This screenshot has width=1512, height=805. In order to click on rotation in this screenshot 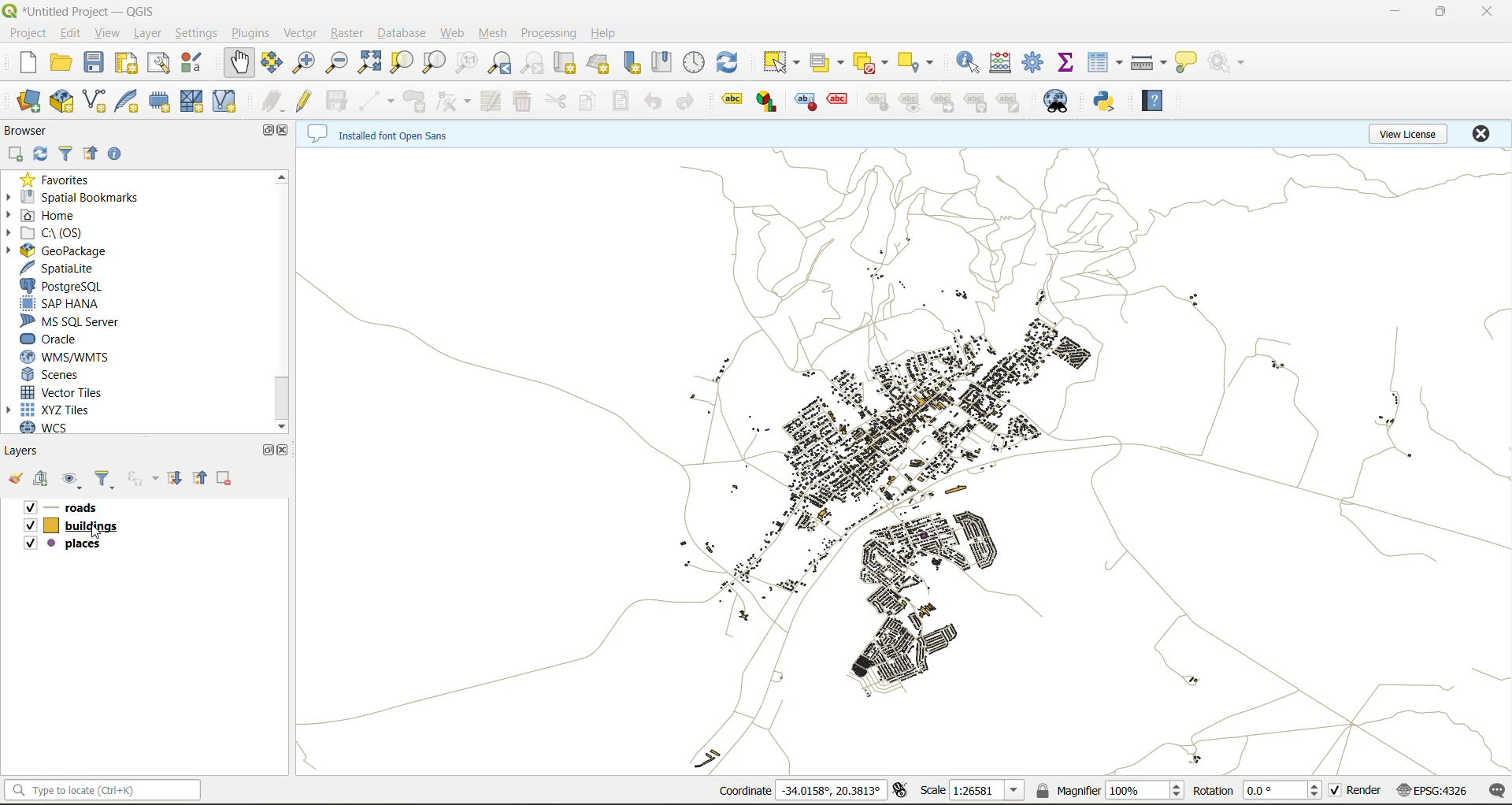, I will do `click(1261, 791)`.